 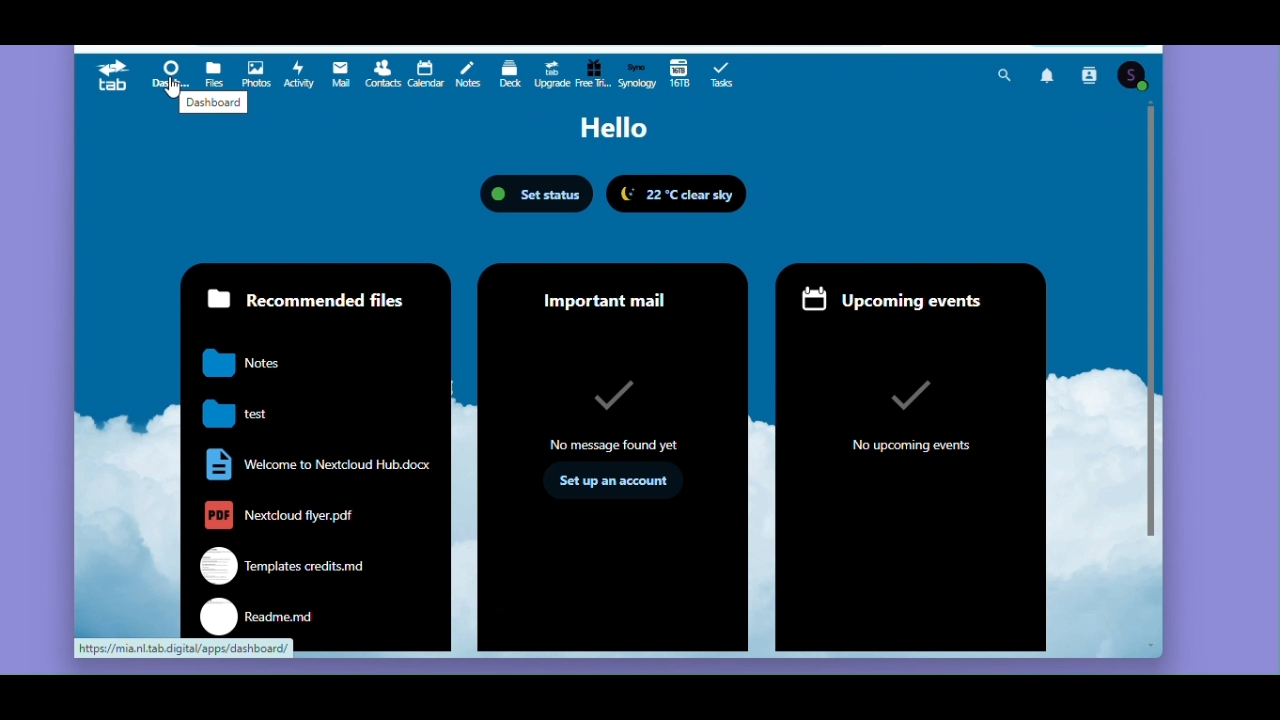 What do you see at coordinates (215, 71) in the screenshot?
I see `Files` at bounding box center [215, 71].